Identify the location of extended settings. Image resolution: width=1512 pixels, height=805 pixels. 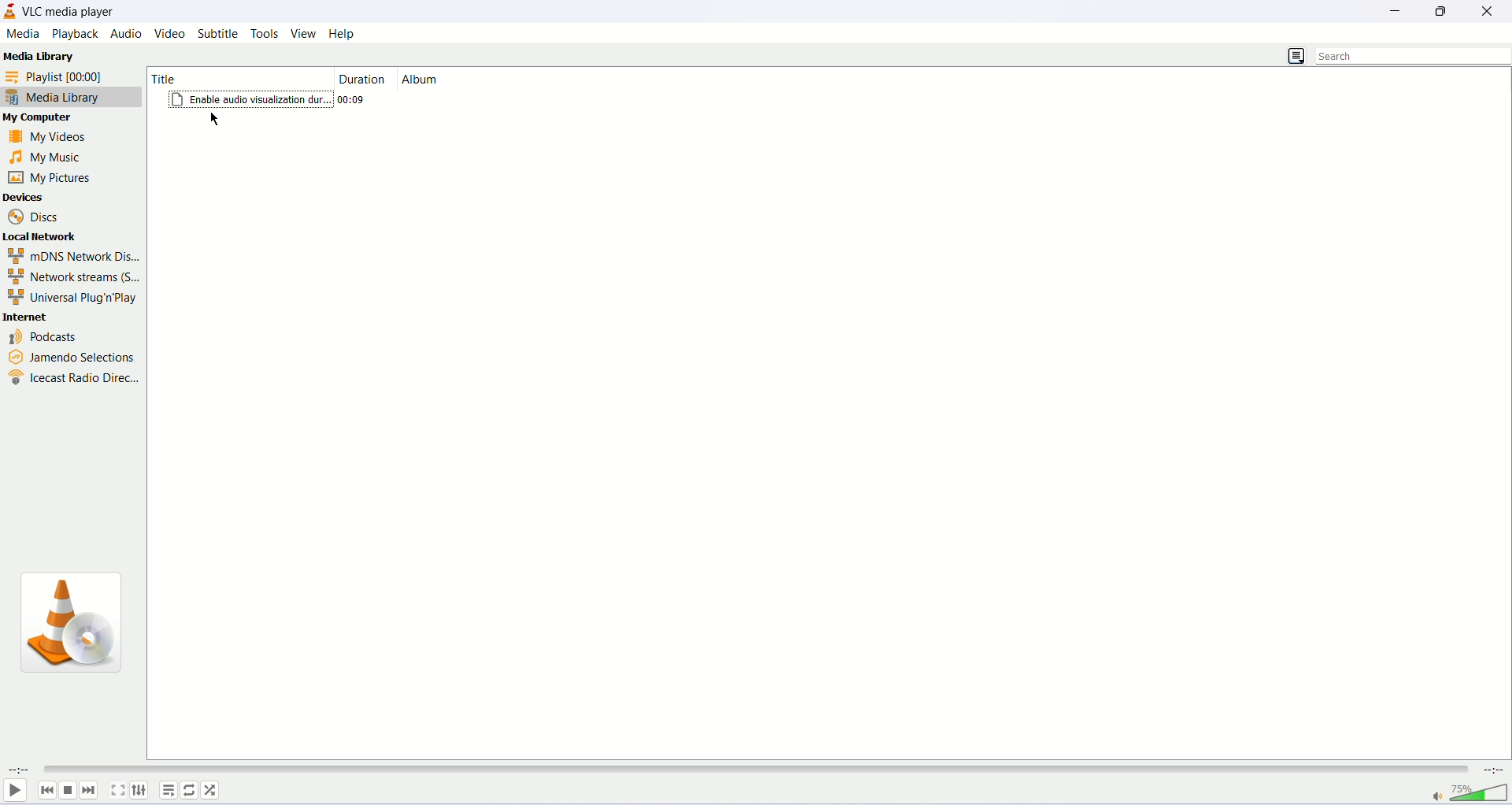
(139, 790).